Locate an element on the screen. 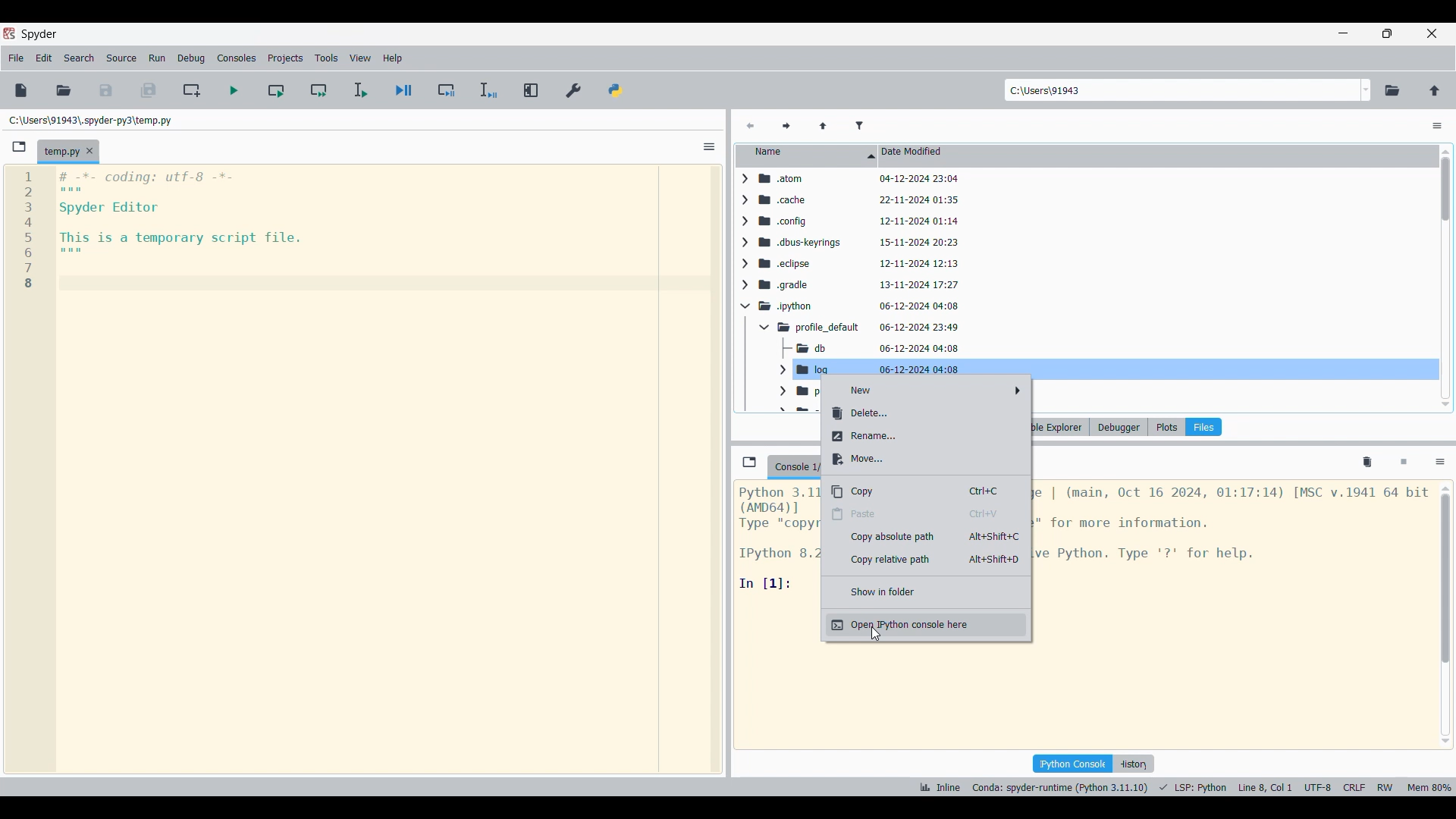 The image size is (1456, 819). New file is located at coordinates (21, 90).